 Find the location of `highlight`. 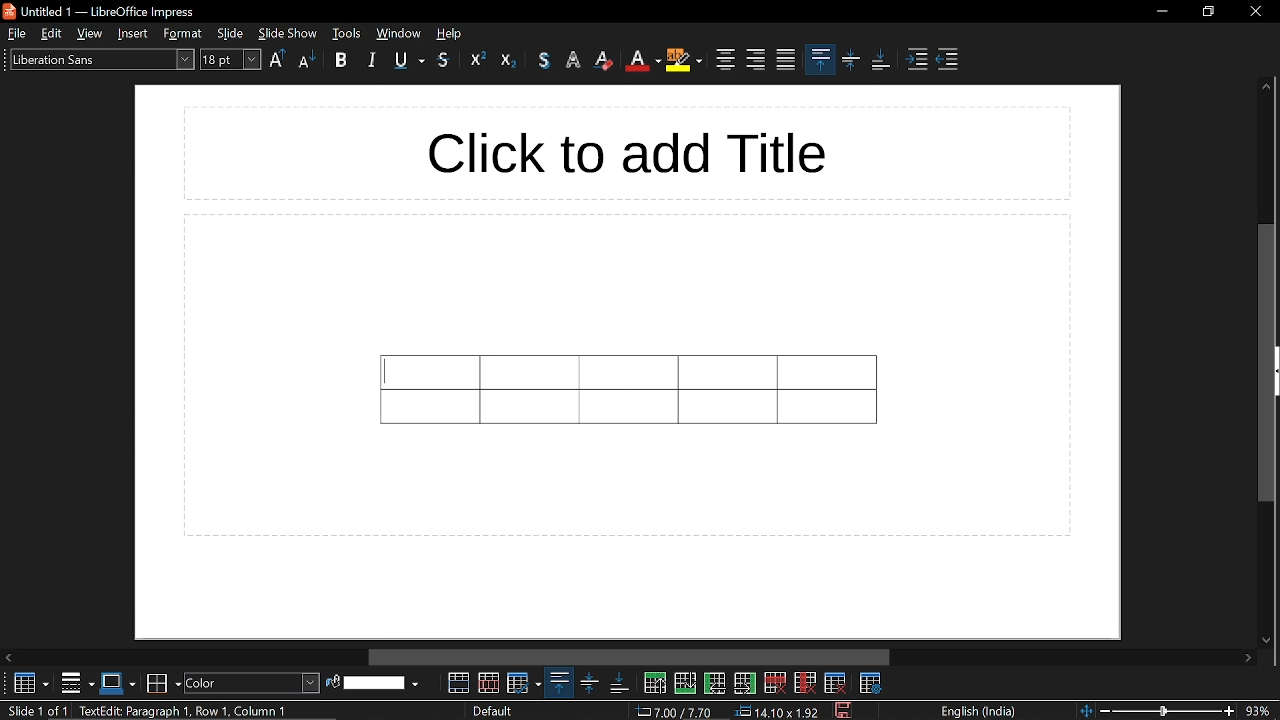

highlight is located at coordinates (685, 60).